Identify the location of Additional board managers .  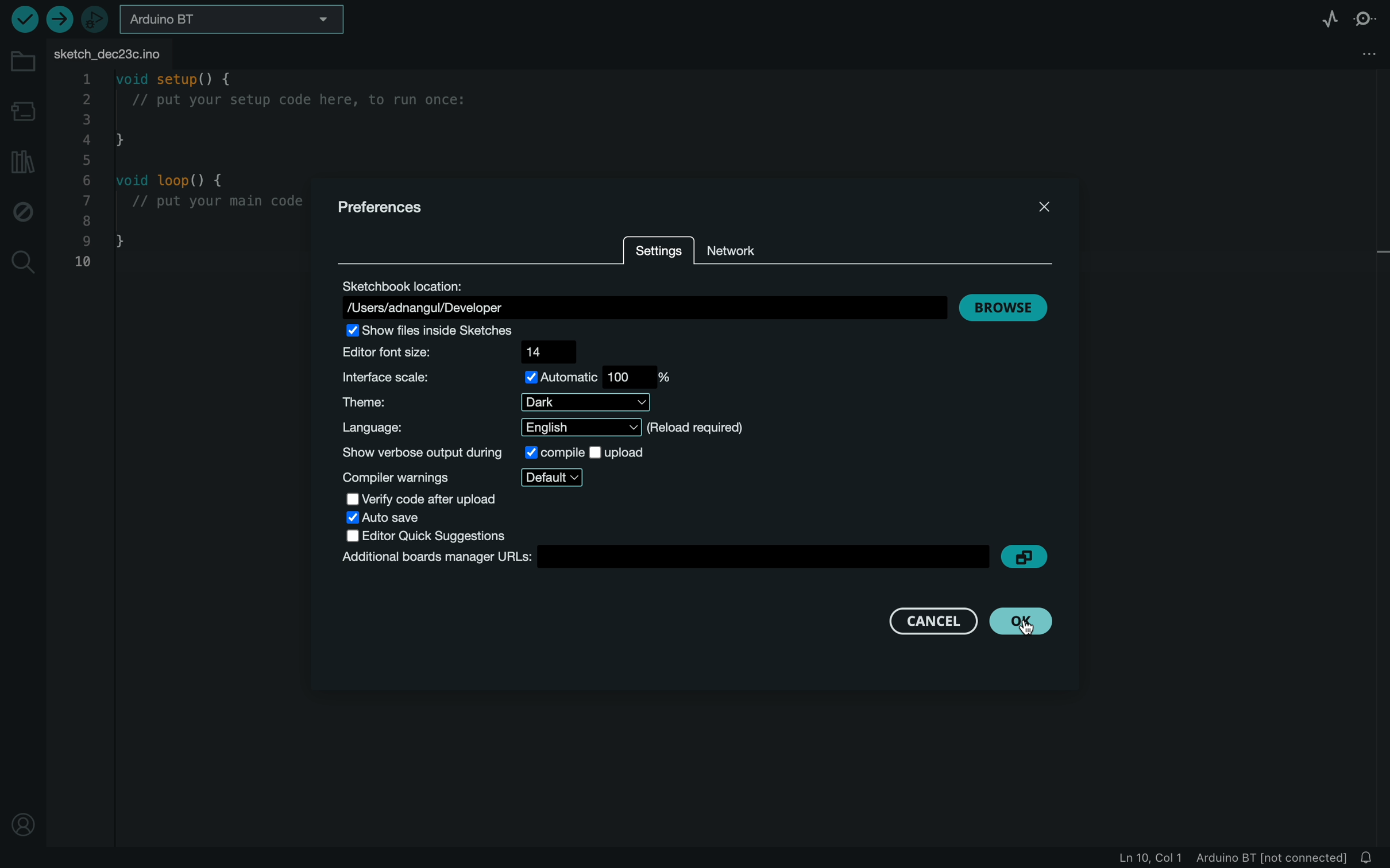
(694, 558).